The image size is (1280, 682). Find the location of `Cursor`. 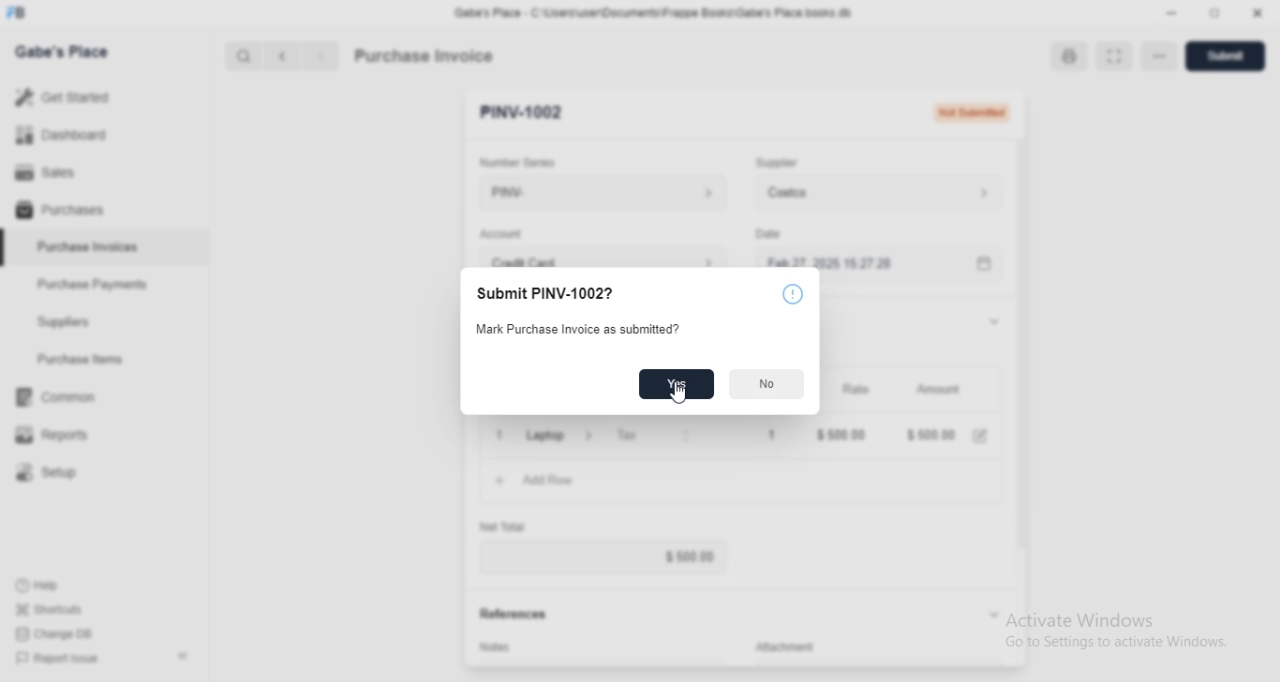

Cursor is located at coordinates (678, 393).